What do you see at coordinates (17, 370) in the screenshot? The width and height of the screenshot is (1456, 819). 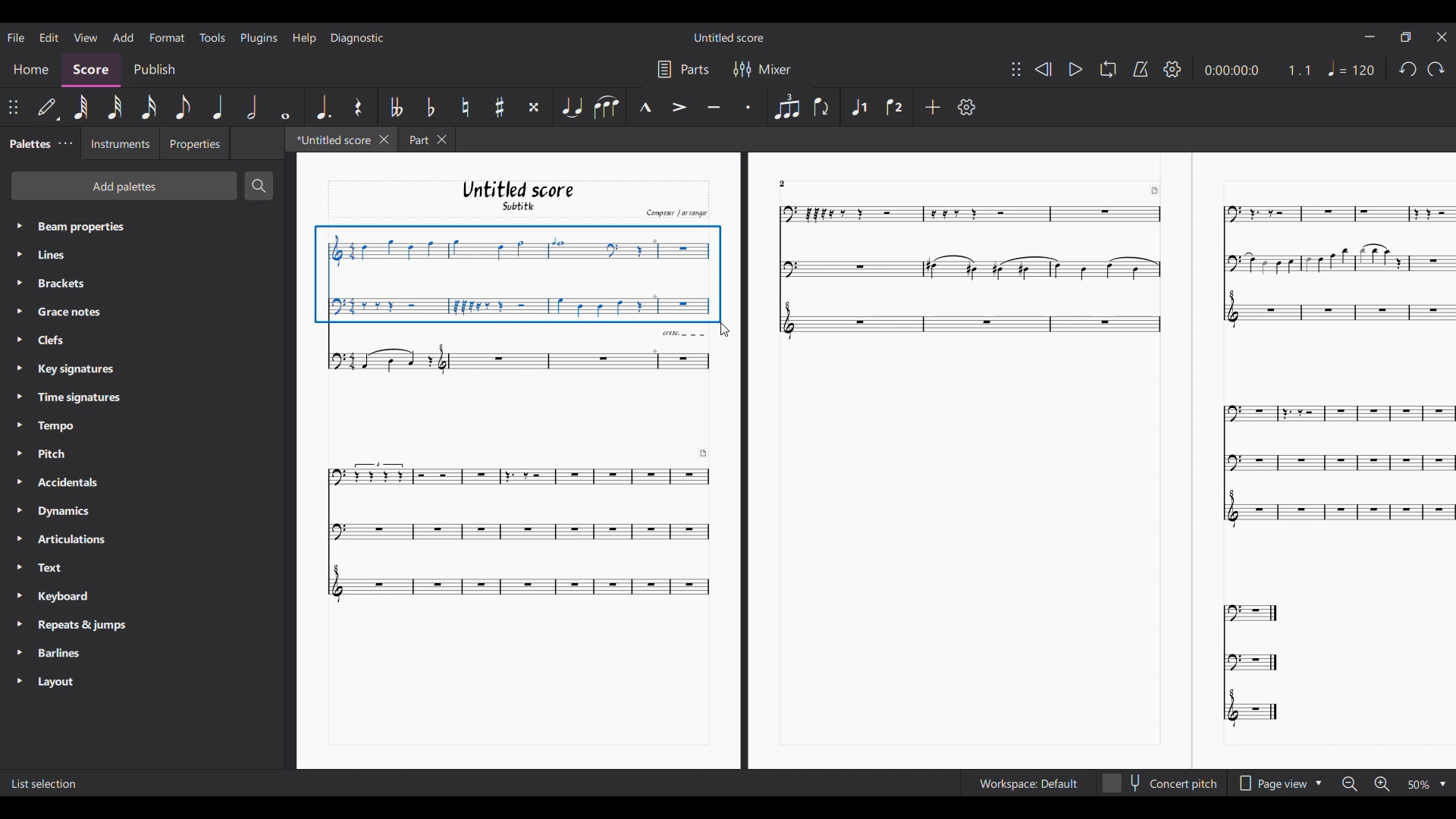 I see `` at bounding box center [17, 370].